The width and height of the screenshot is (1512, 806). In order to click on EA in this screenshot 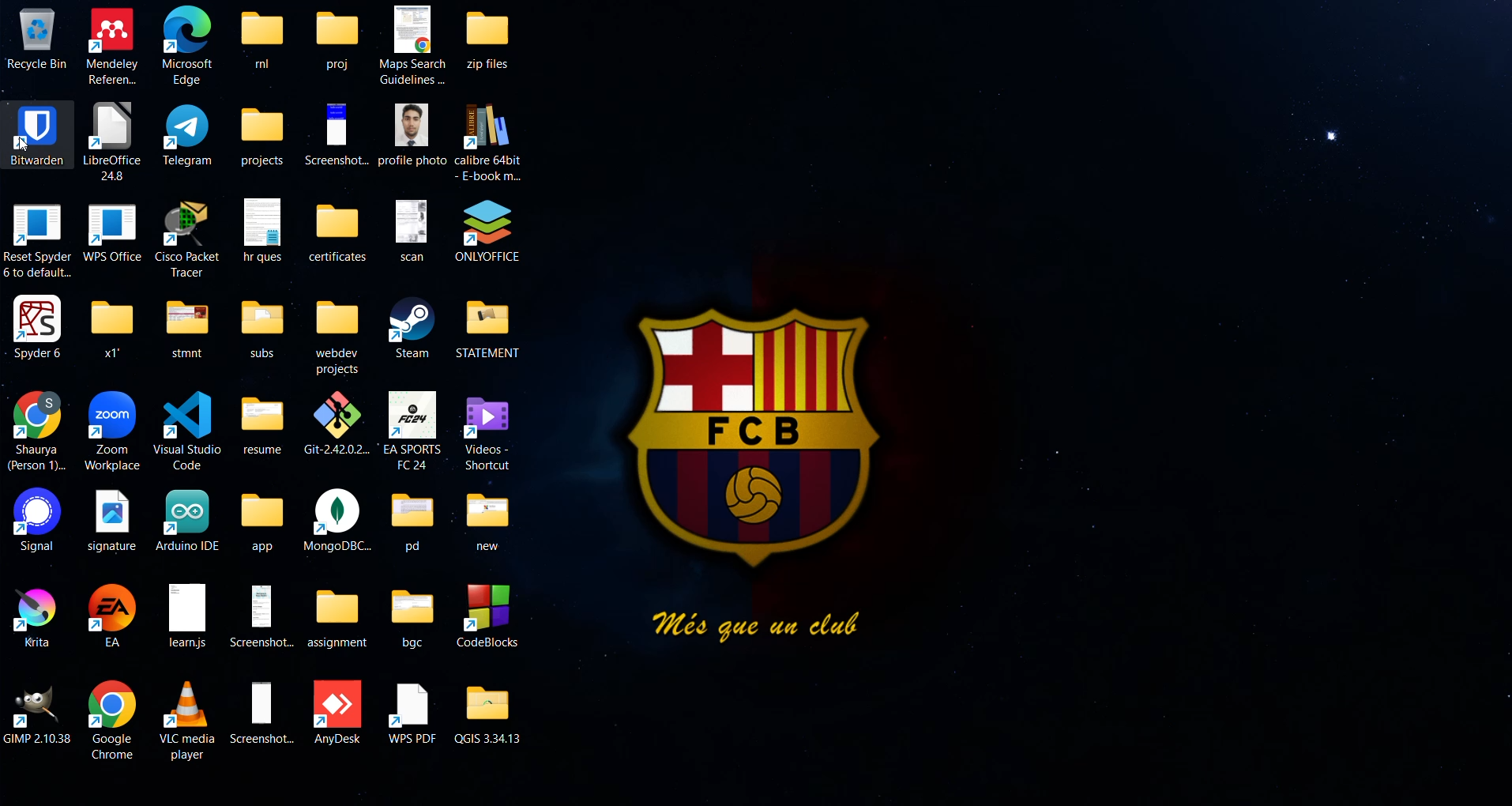, I will do `click(114, 616)`.